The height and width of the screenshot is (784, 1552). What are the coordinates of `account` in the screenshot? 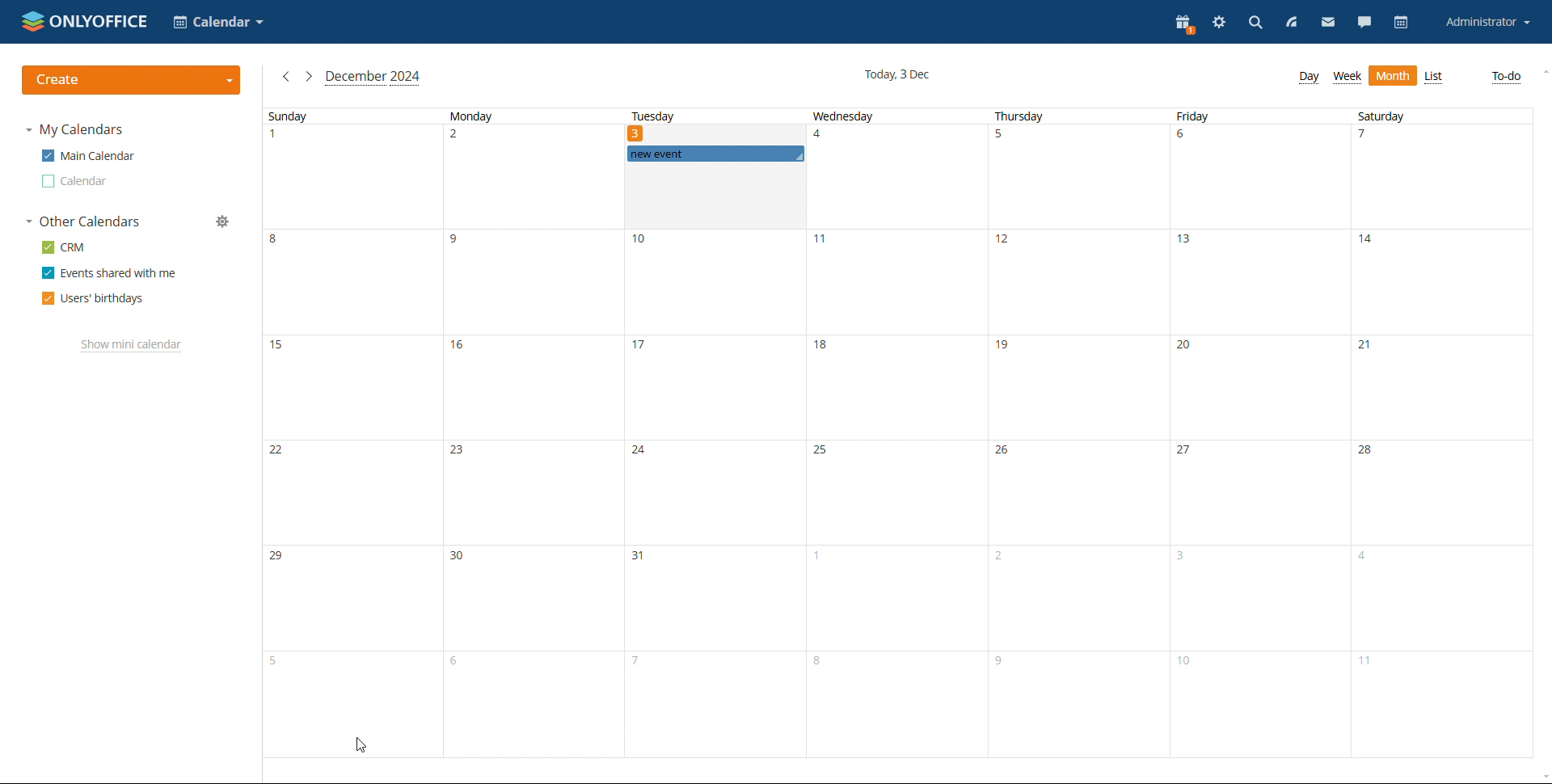 It's located at (1489, 23).